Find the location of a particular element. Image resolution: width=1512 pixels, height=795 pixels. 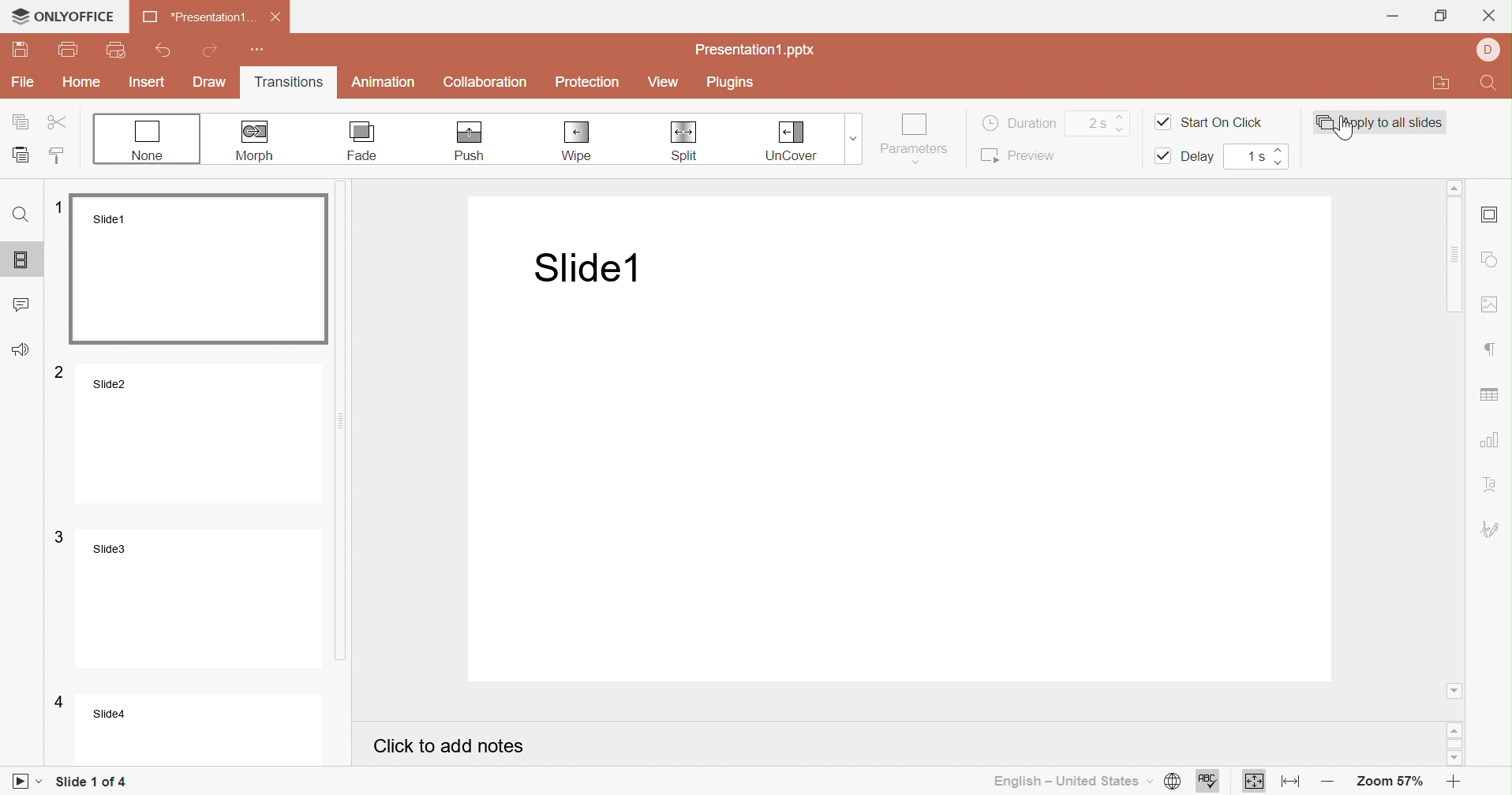

Undo is located at coordinates (162, 51).